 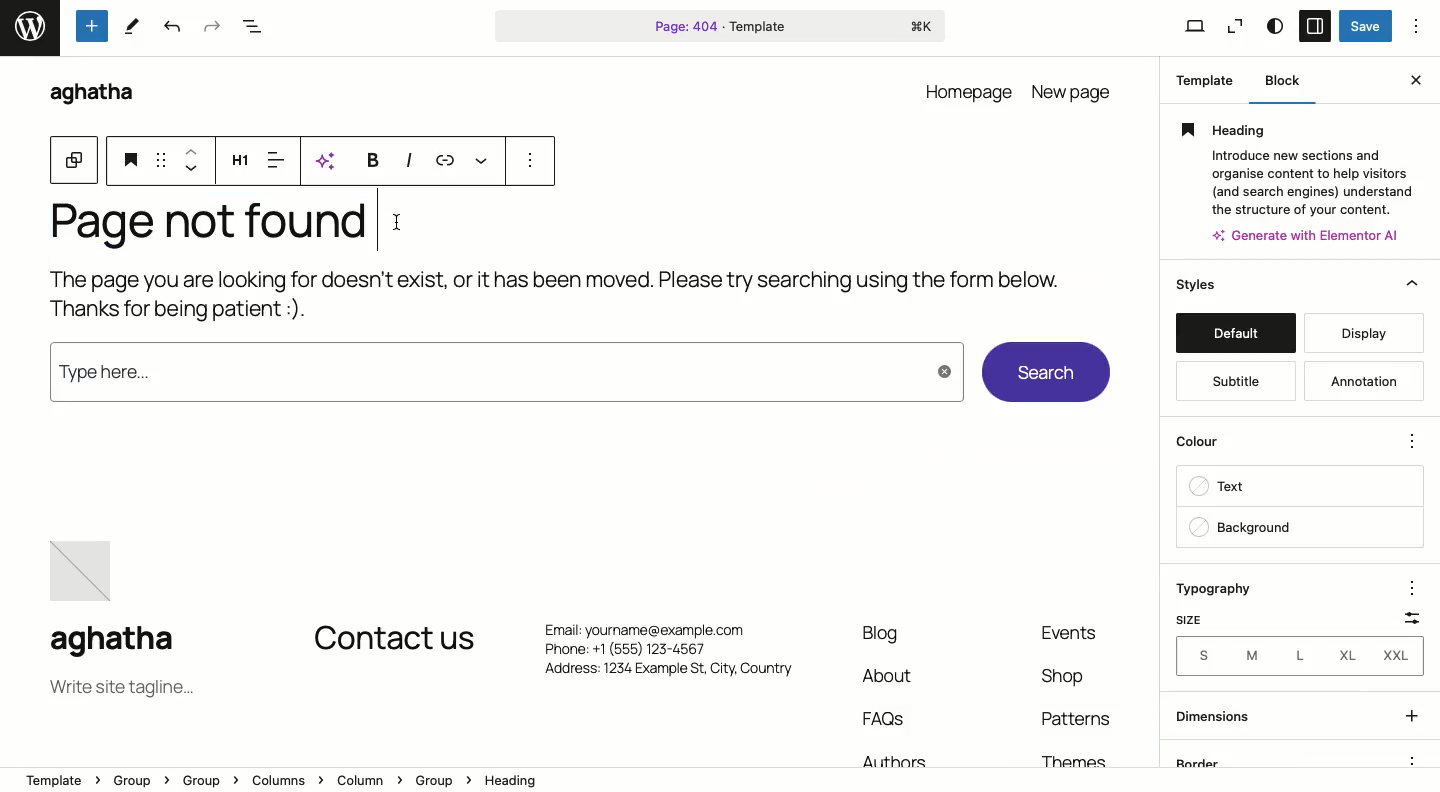 What do you see at coordinates (1202, 656) in the screenshot?
I see `Sizes` at bounding box center [1202, 656].